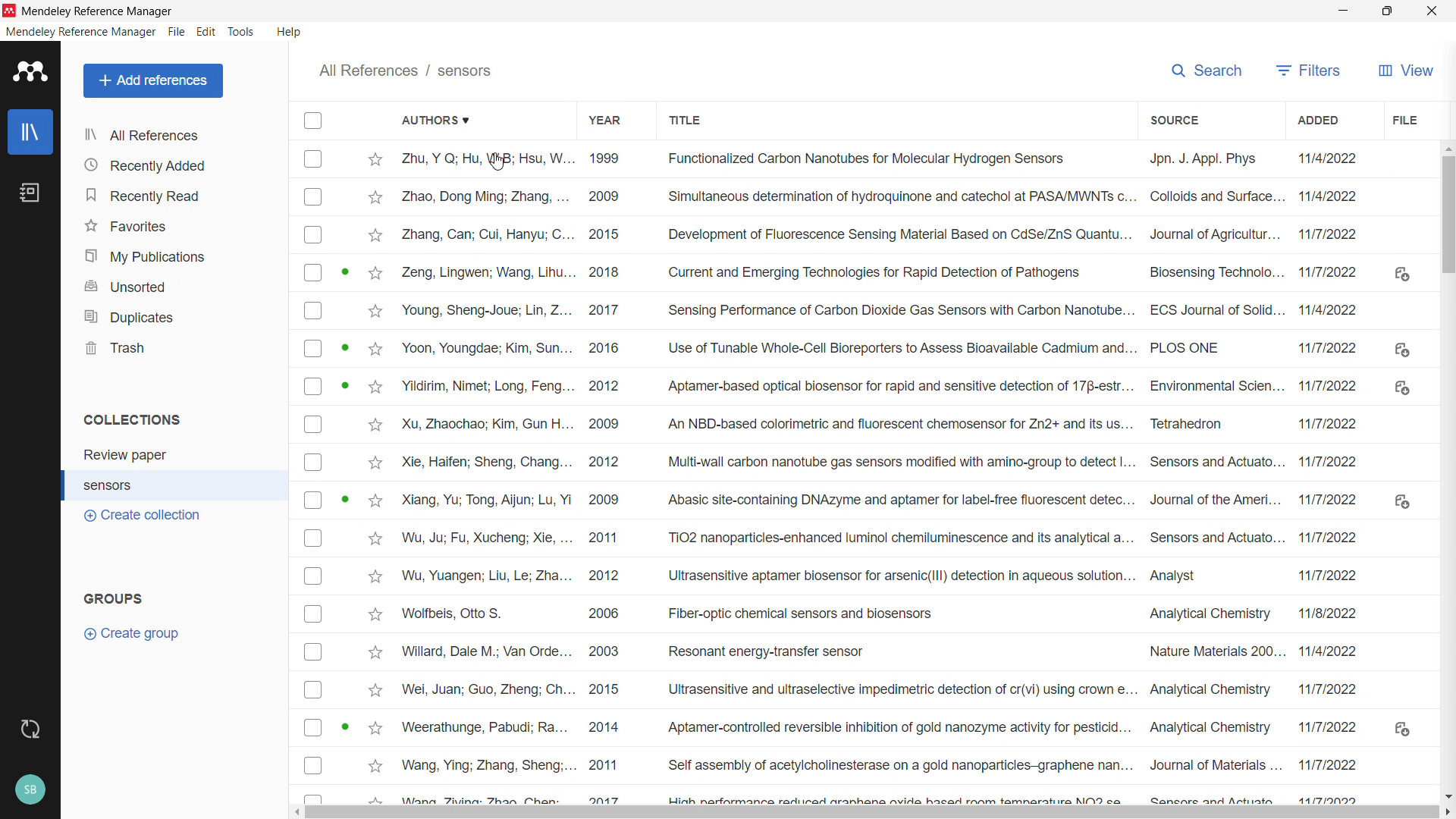  I want to click on Favourites , so click(177, 227).